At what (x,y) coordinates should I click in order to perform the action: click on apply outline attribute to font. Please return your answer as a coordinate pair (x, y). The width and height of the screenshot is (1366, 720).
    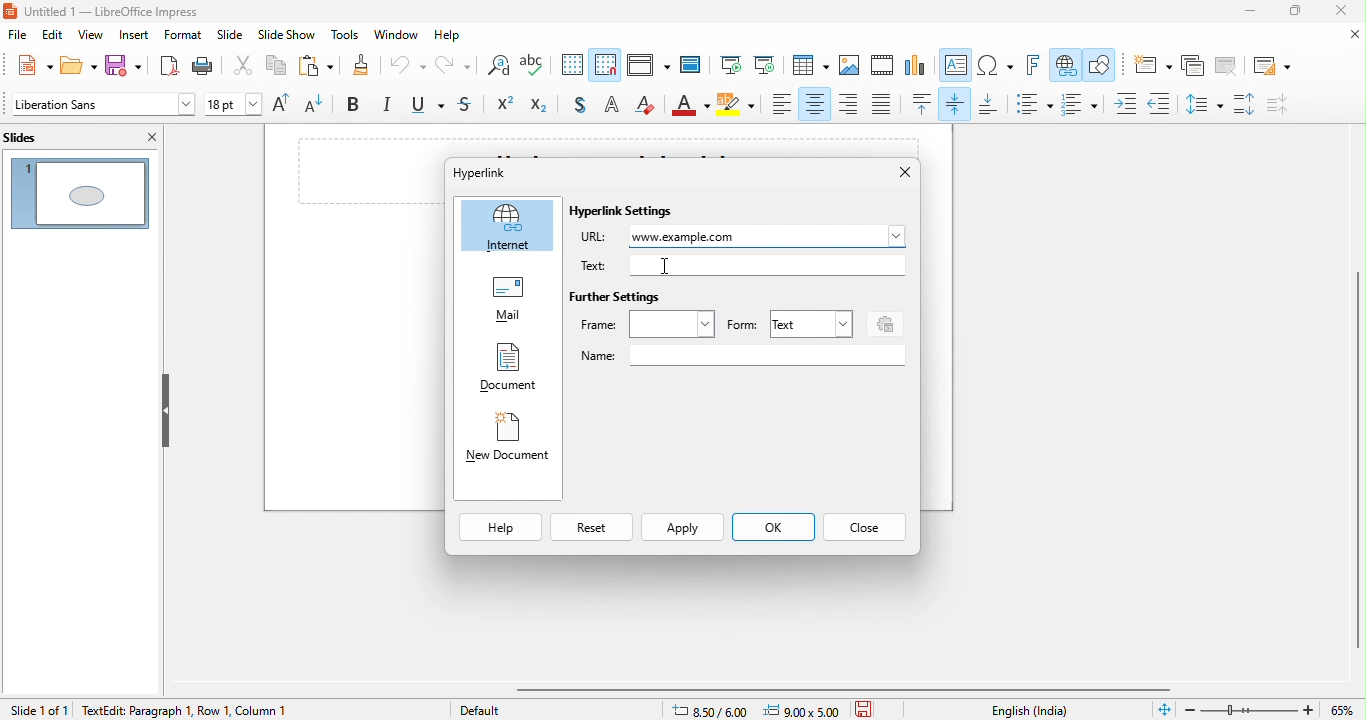
    Looking at the image, I should click on (611, 107).